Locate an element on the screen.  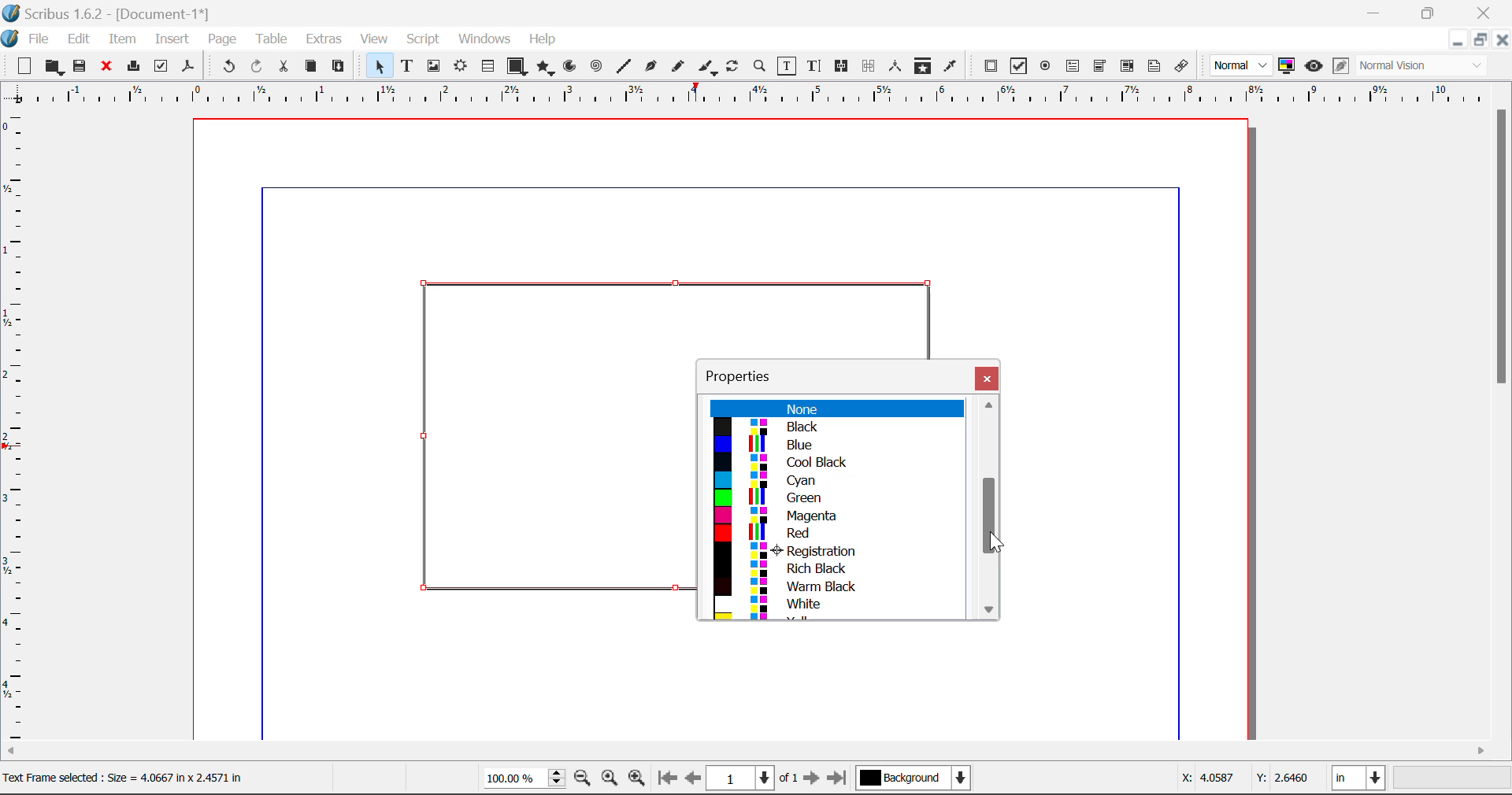
Edit Text With Story Editor is located at coordinates (813, 67).